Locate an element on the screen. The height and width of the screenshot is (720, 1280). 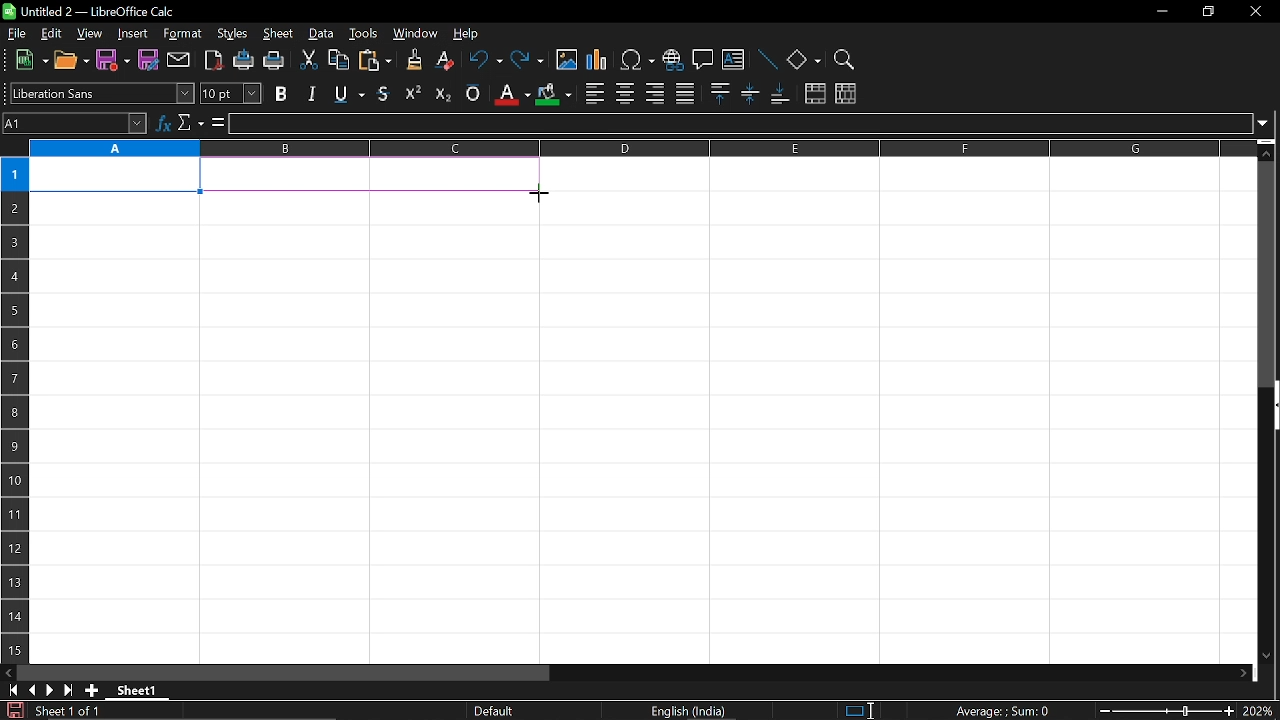
subscript is located at coordinates (442, 93).